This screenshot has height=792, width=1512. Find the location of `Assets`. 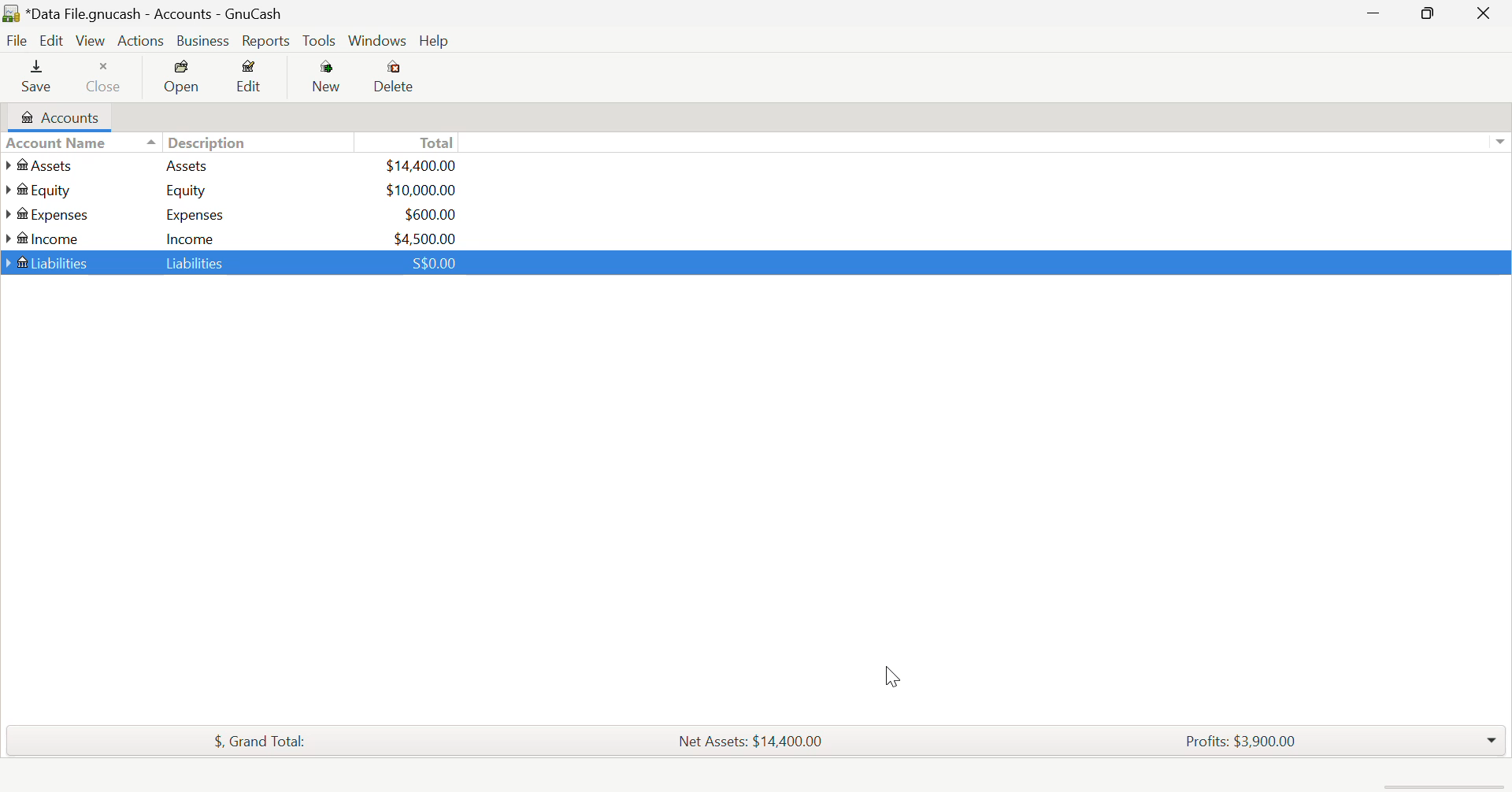

Assets is located at coordinates (187, 165).